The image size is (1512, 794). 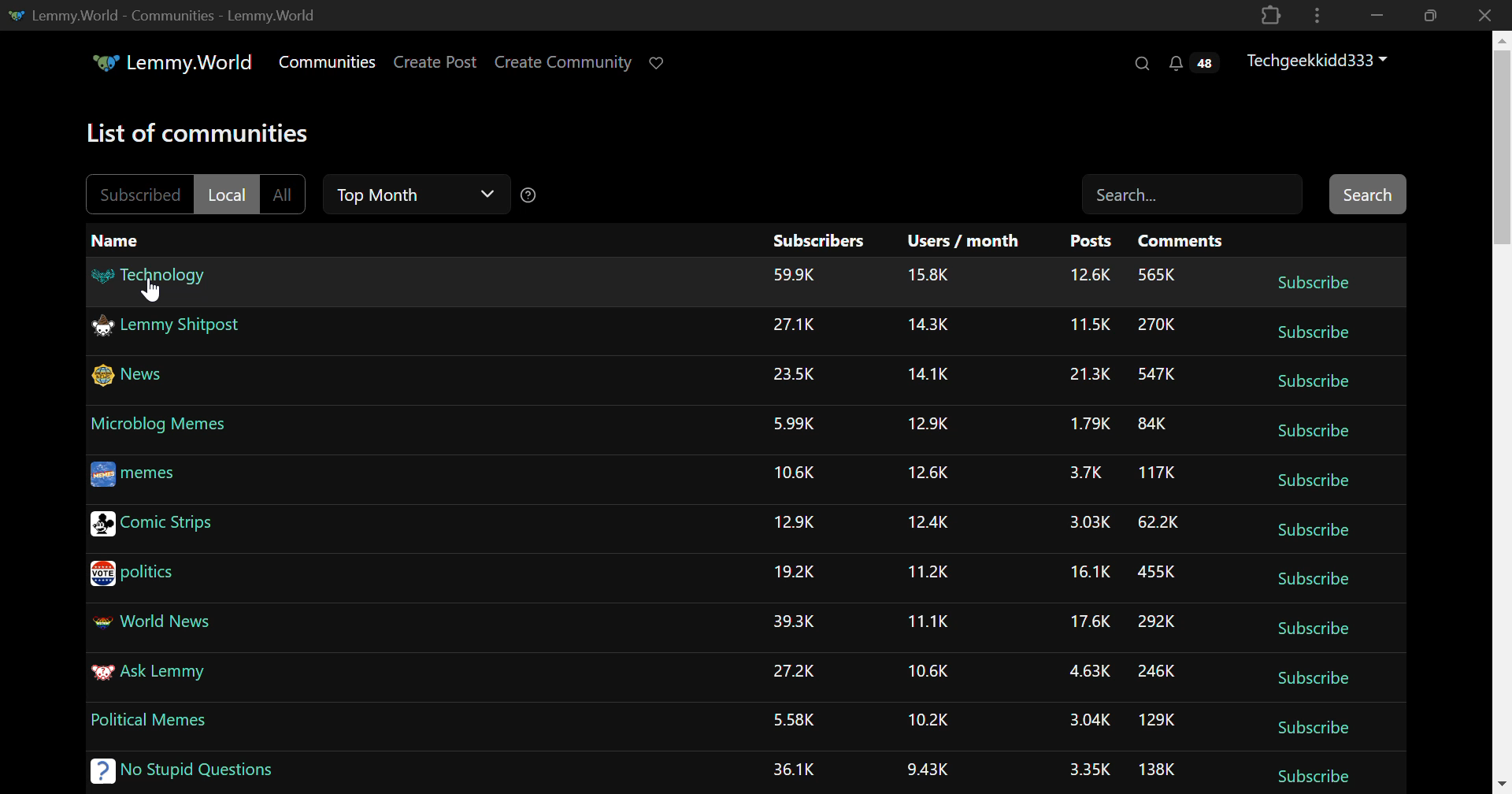 What do you see at coordinates (119, 239) in the screenshot?
I see `Name` at bounding box center [119, 239].